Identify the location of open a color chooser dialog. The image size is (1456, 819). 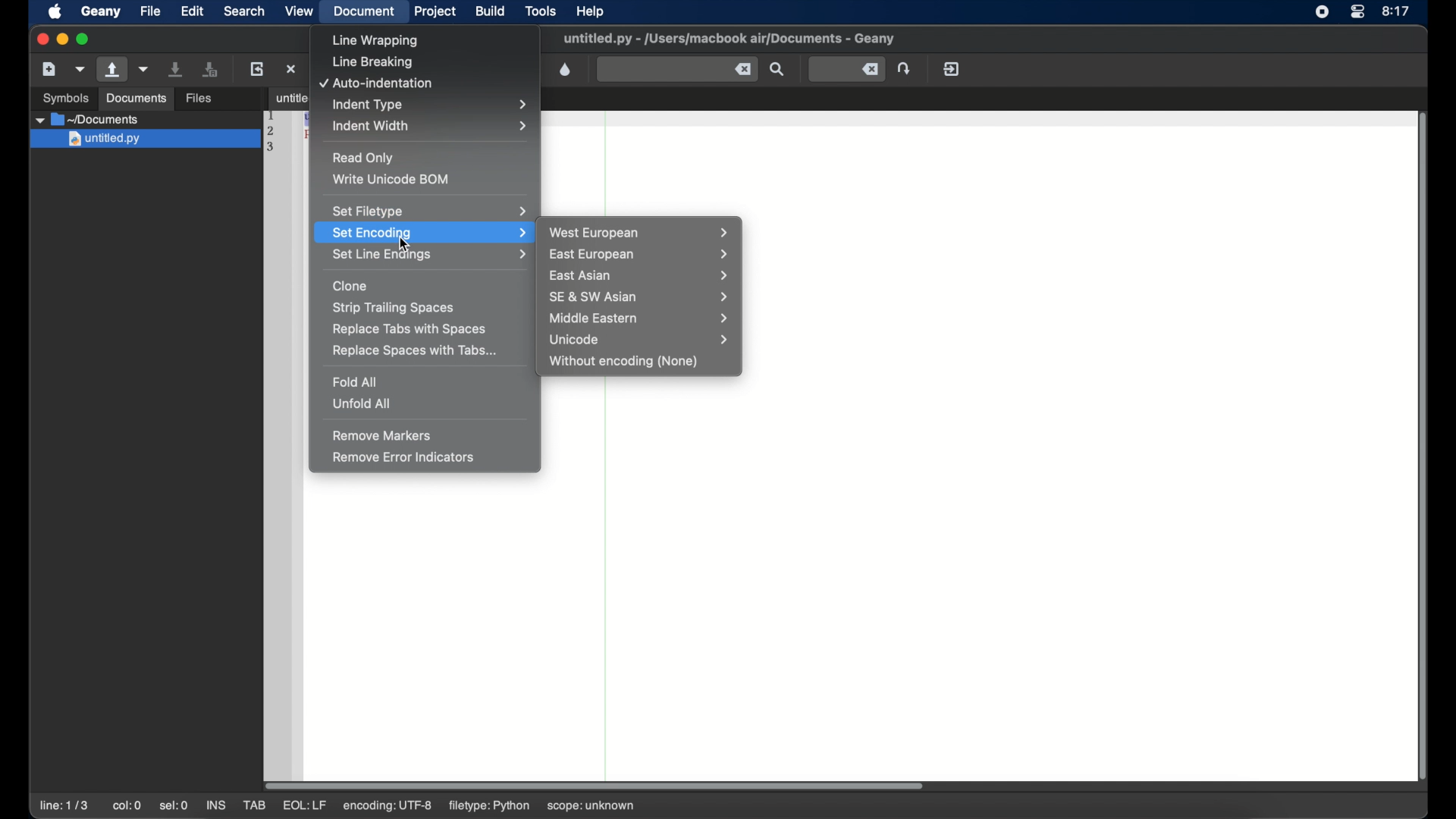
(566, 70).